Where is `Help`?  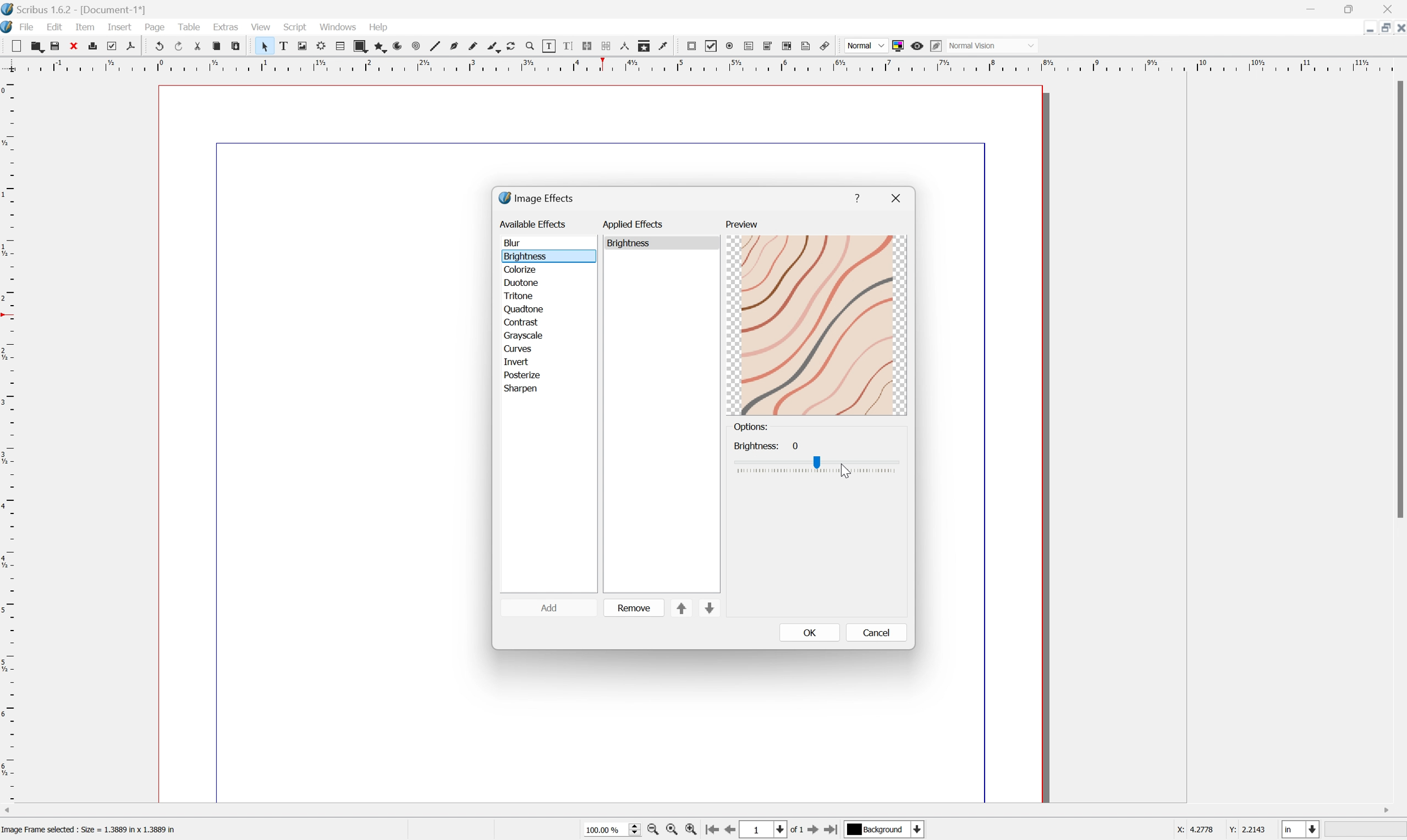 Help is located at coordinates (378, 27).